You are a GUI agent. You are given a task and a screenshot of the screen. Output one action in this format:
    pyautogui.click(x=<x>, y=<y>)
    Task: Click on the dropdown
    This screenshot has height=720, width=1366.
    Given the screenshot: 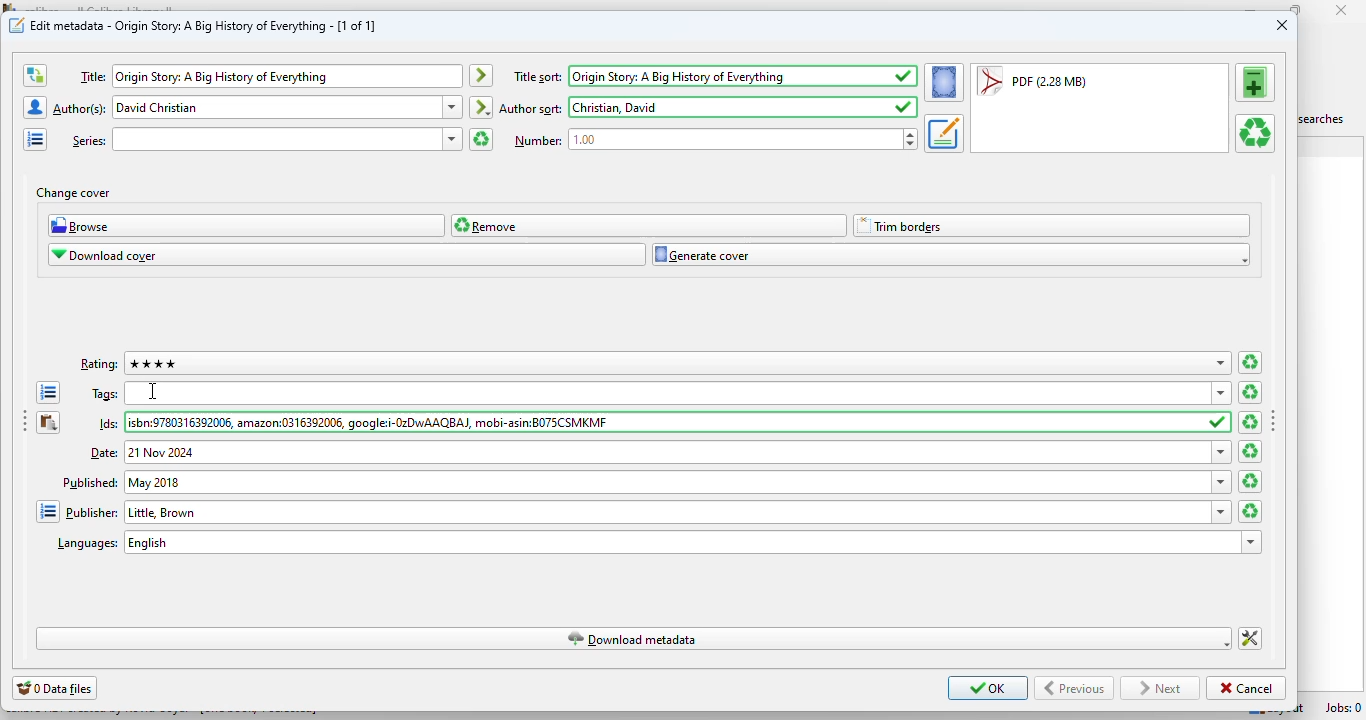 What is the action you would take?
    pyautogui.click(x=1252, y=543)
    